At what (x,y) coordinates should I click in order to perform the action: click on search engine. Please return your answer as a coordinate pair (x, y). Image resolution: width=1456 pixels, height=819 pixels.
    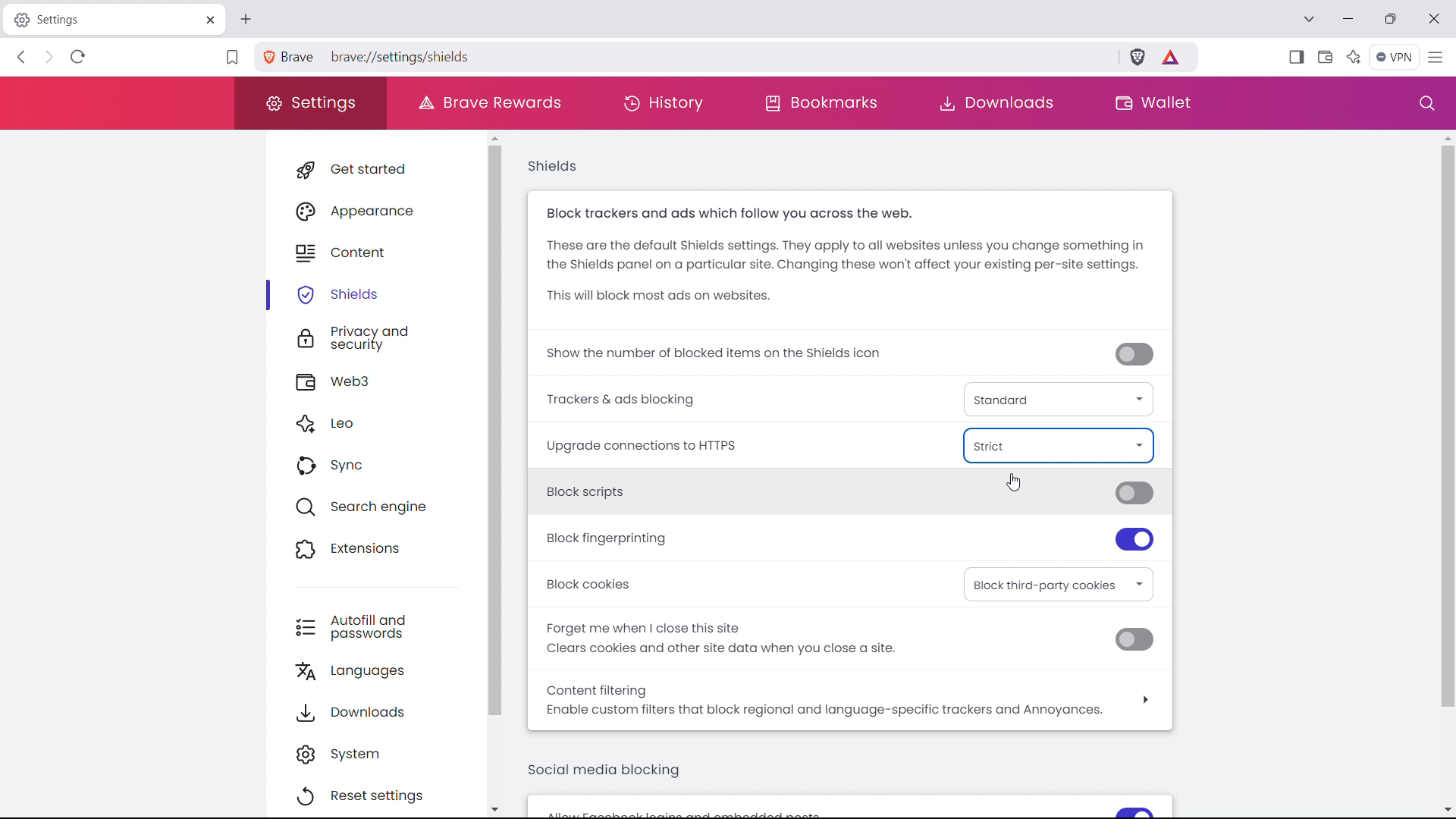
    Looking at the image, I should click on (384, 505).